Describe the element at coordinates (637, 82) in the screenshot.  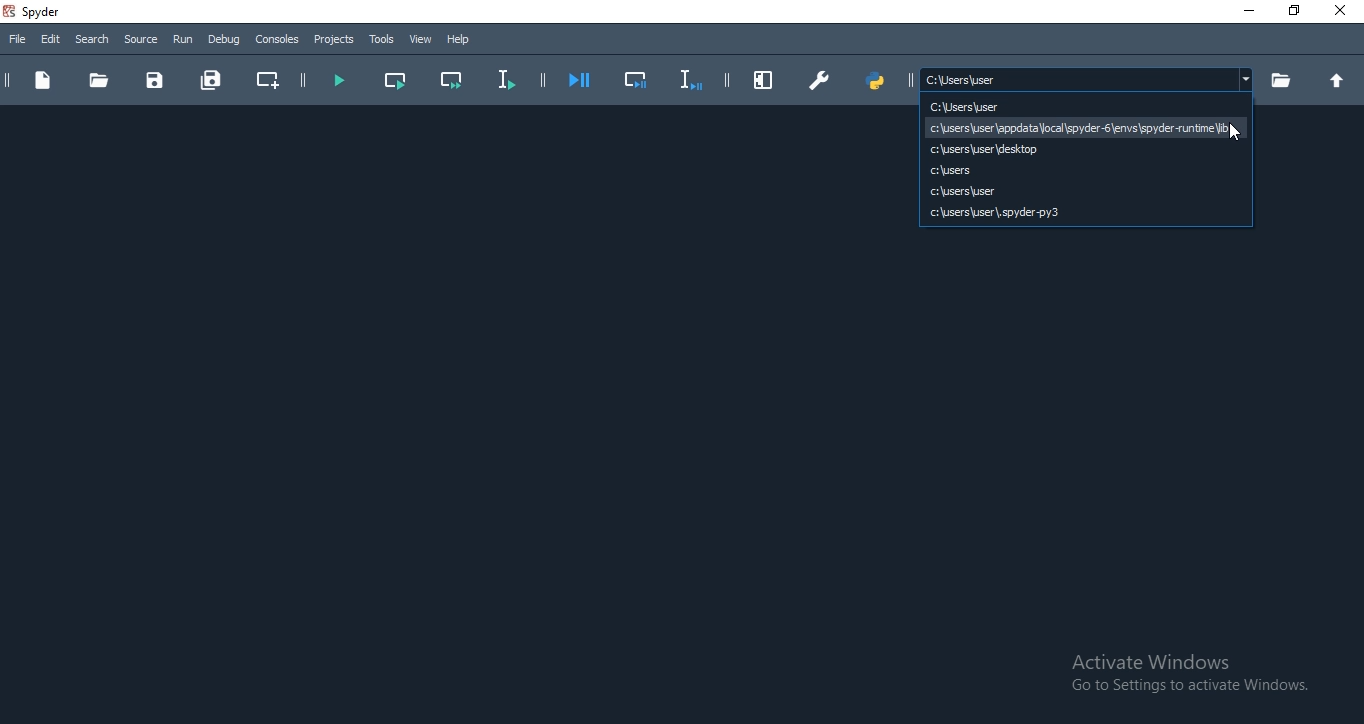
I see `debug selection maximise current pane` at that location.